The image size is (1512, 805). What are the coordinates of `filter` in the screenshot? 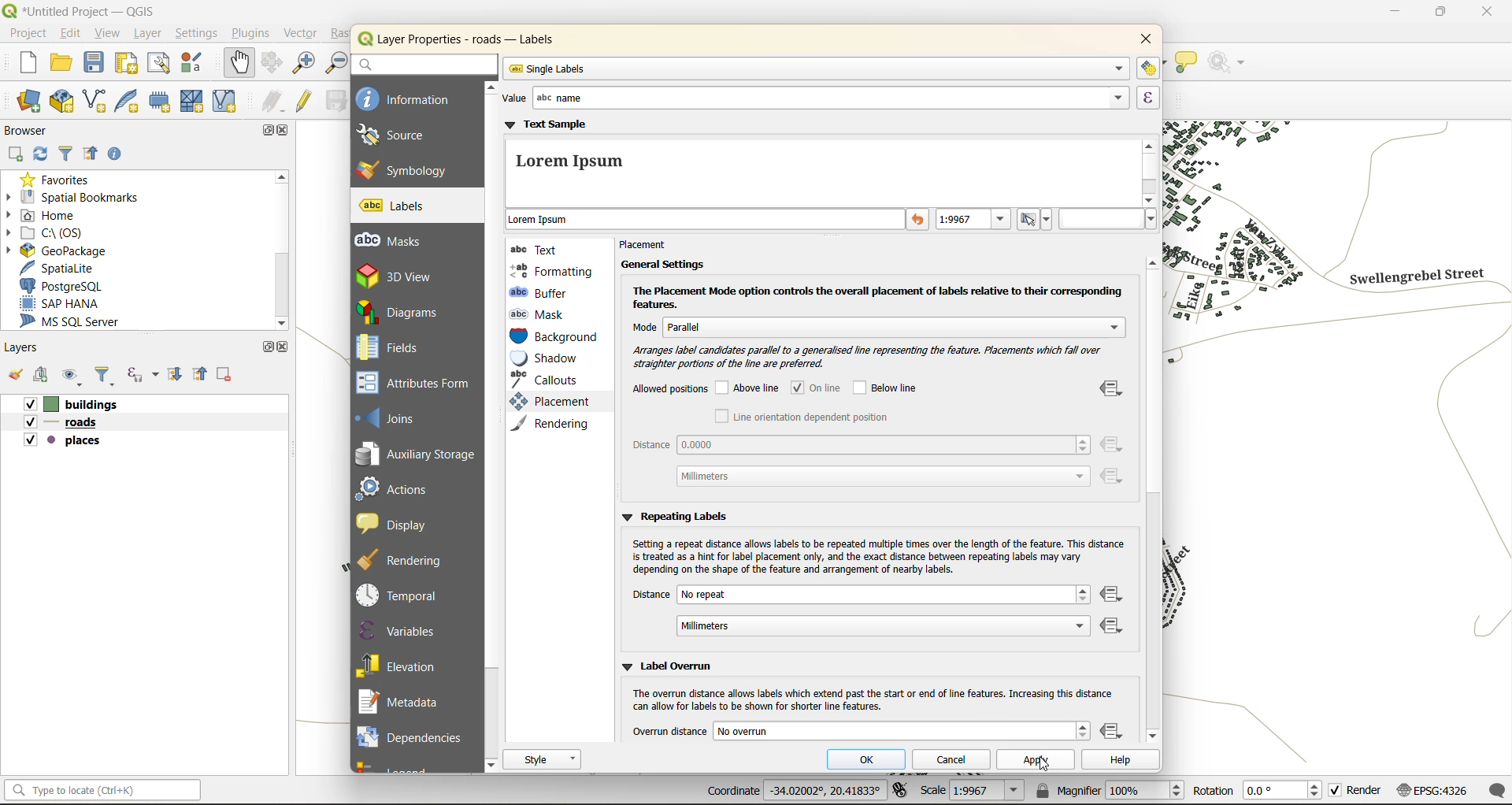 It's located at (66, 154).